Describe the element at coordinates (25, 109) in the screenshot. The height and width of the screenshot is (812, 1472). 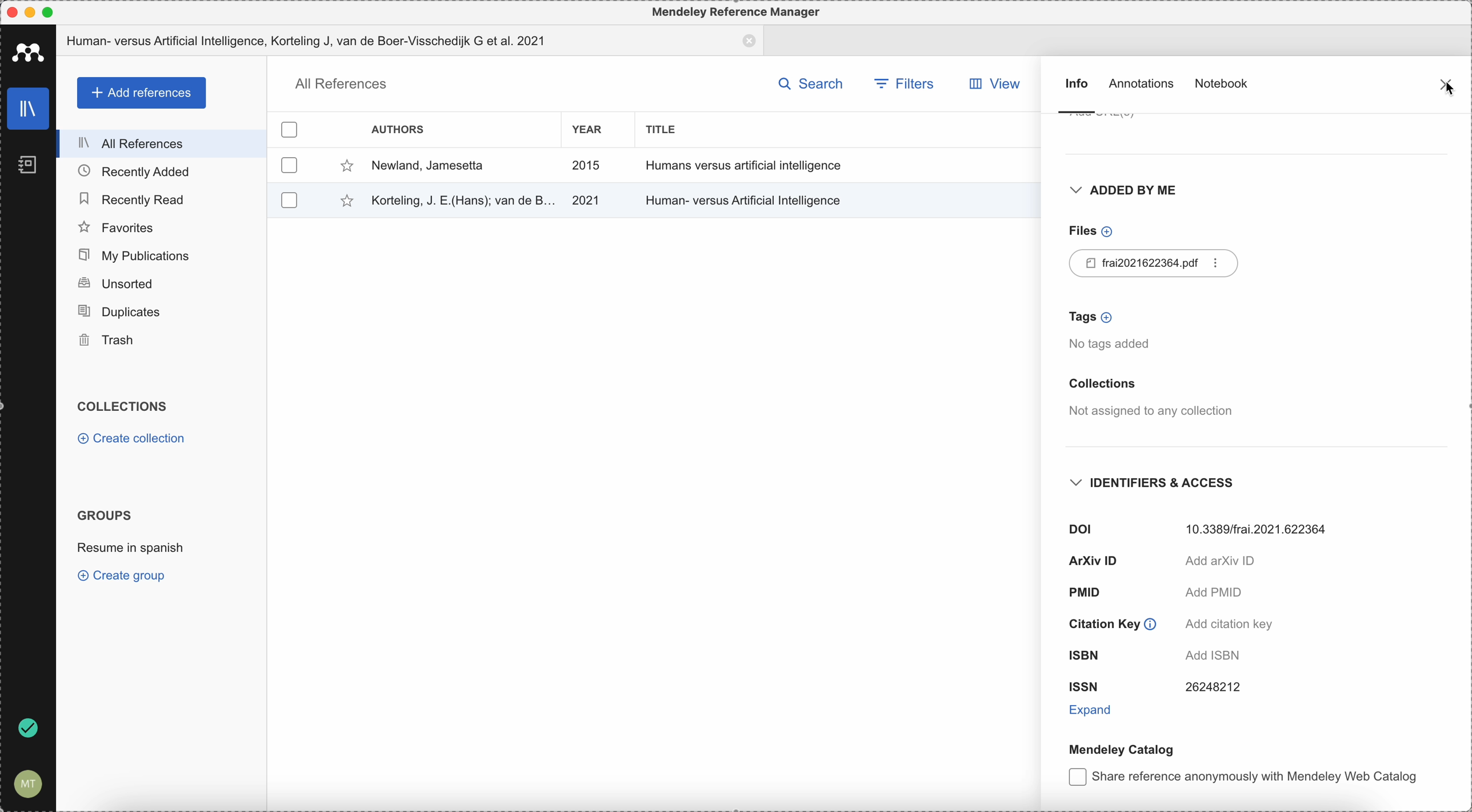
I see `library` at that location.